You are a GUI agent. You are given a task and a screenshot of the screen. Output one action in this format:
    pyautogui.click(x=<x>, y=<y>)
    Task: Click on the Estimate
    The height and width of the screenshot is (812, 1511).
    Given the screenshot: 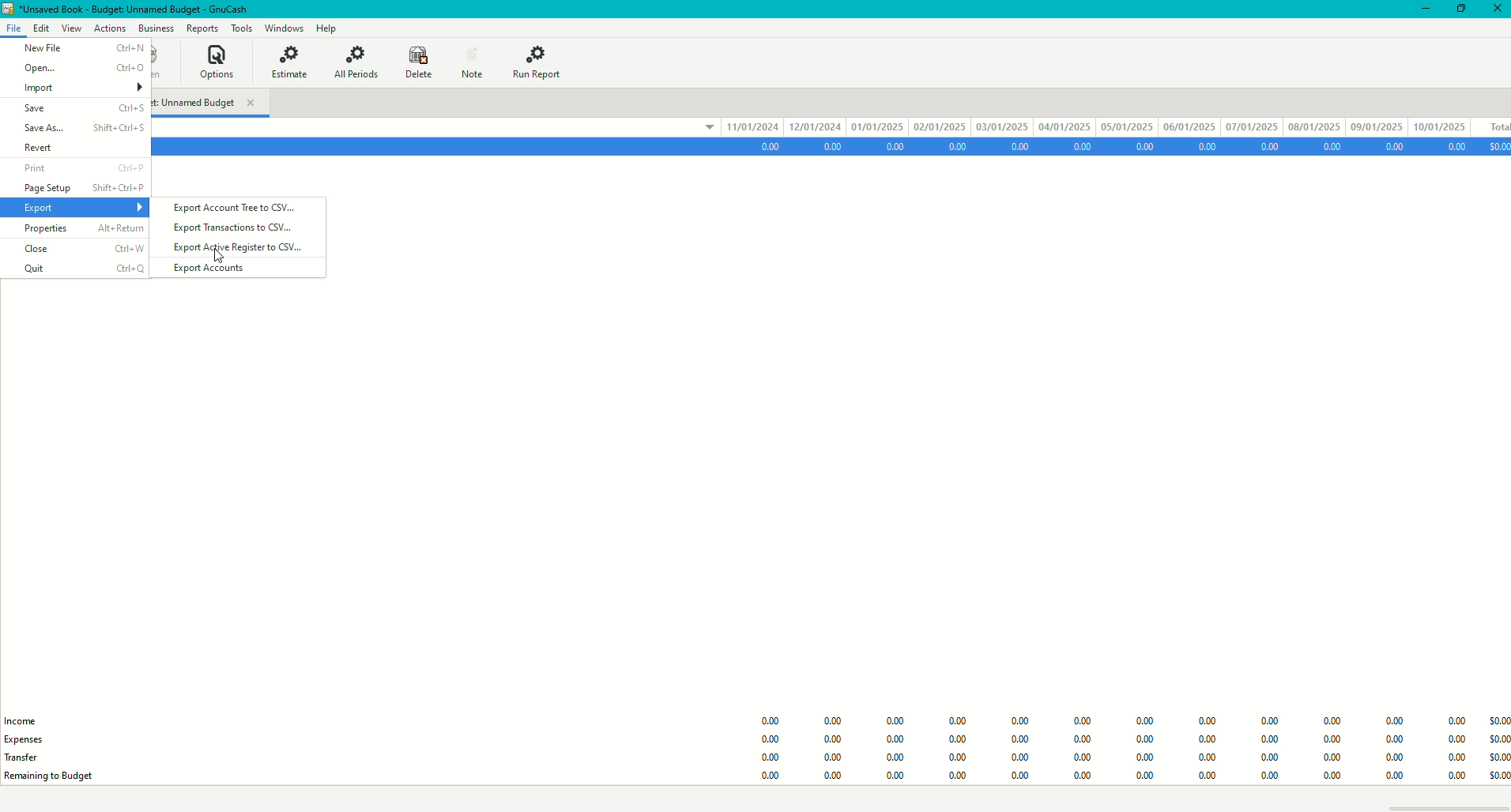 What is the action you would take?
    pyautogui.click(x=293, y=63)
    